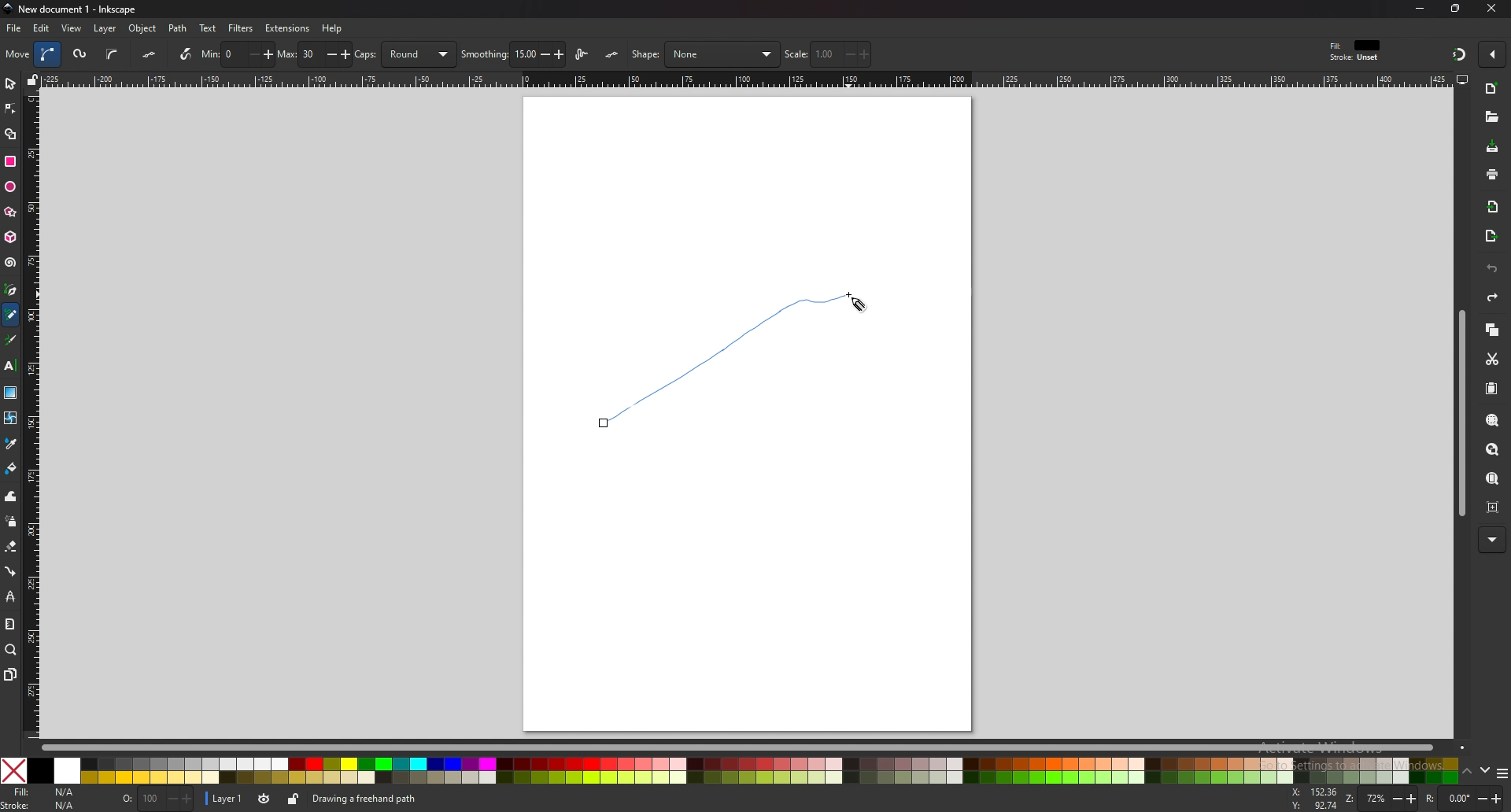 The width and height of the screenshot is (1511, 812). I want to click on more colors, so click(1502, 773).